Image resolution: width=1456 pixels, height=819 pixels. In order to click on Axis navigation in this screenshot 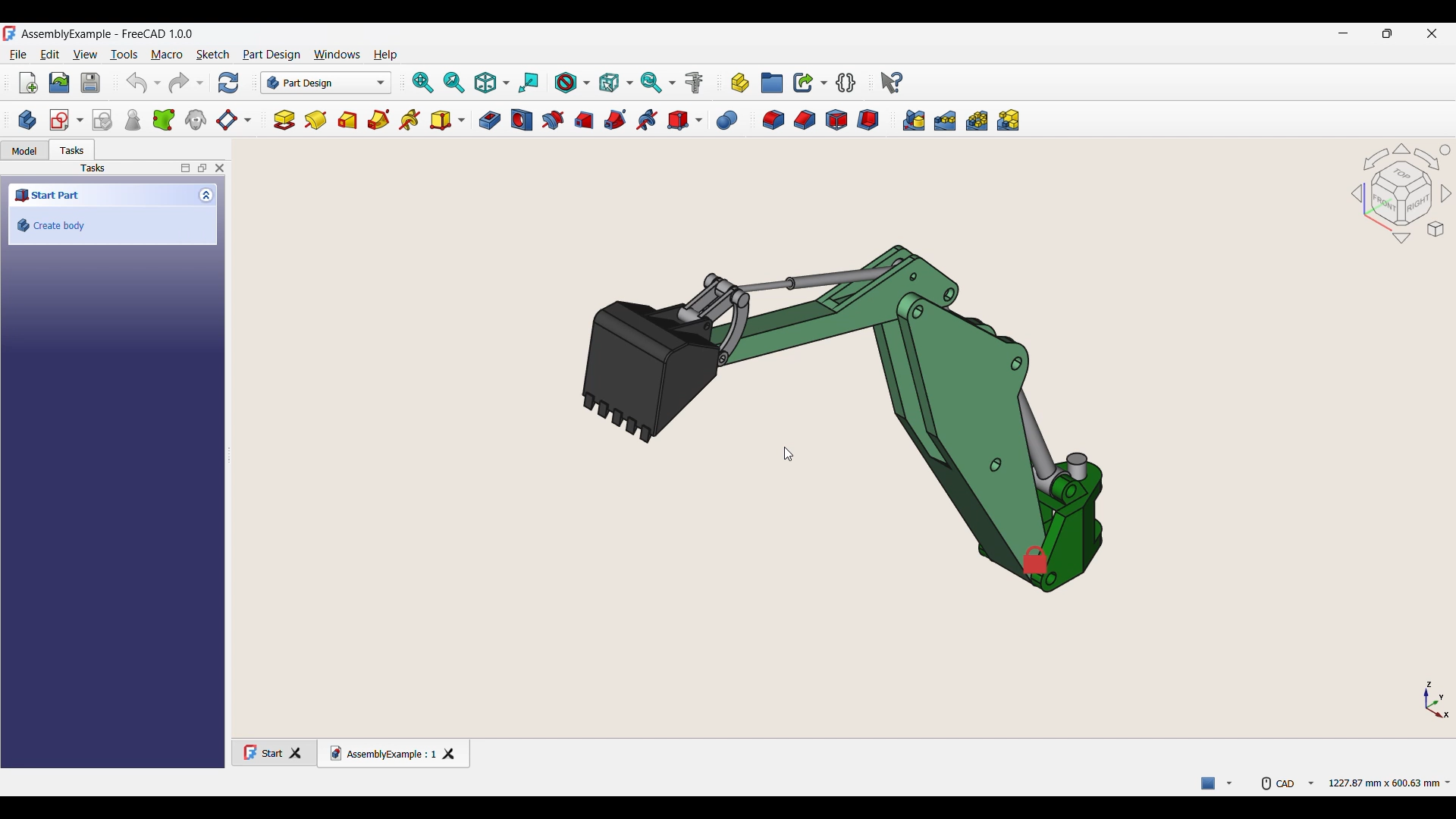, I will do `click(1438, 699)`.